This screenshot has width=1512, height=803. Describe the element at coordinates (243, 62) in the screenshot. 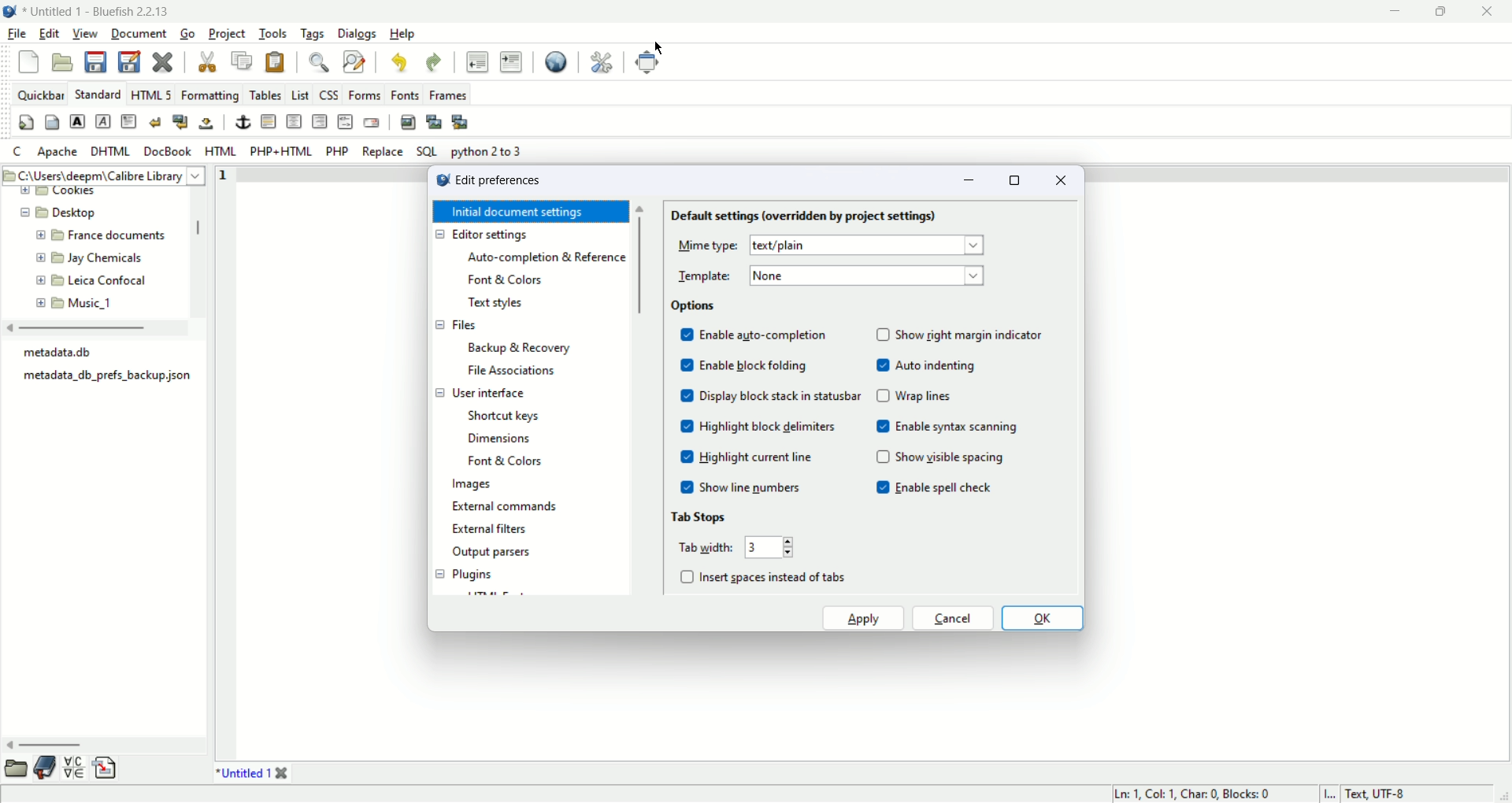

I see `copy` at that location.